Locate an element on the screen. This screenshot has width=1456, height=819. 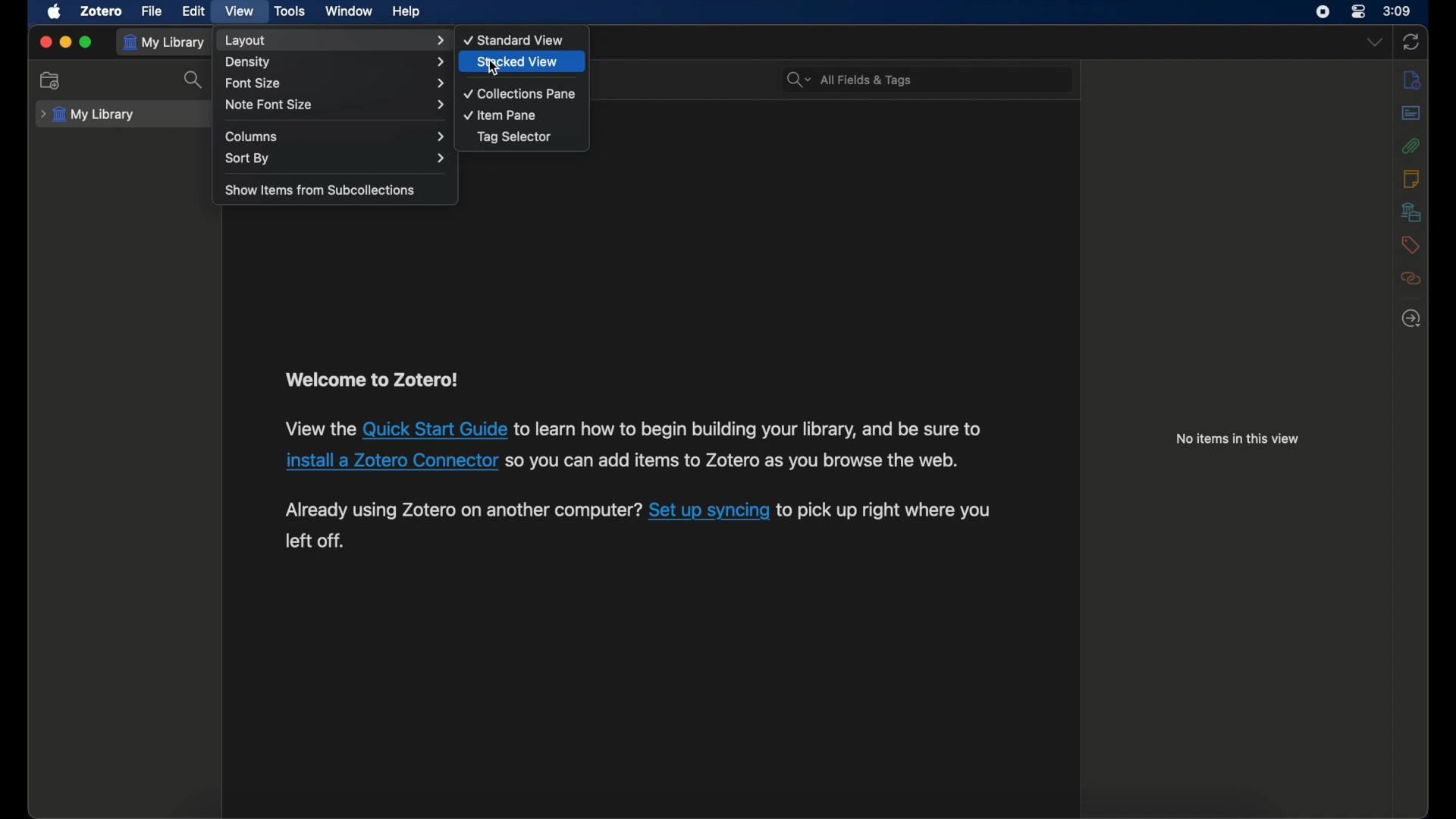
collections pane is located at coordinates (519, 94).